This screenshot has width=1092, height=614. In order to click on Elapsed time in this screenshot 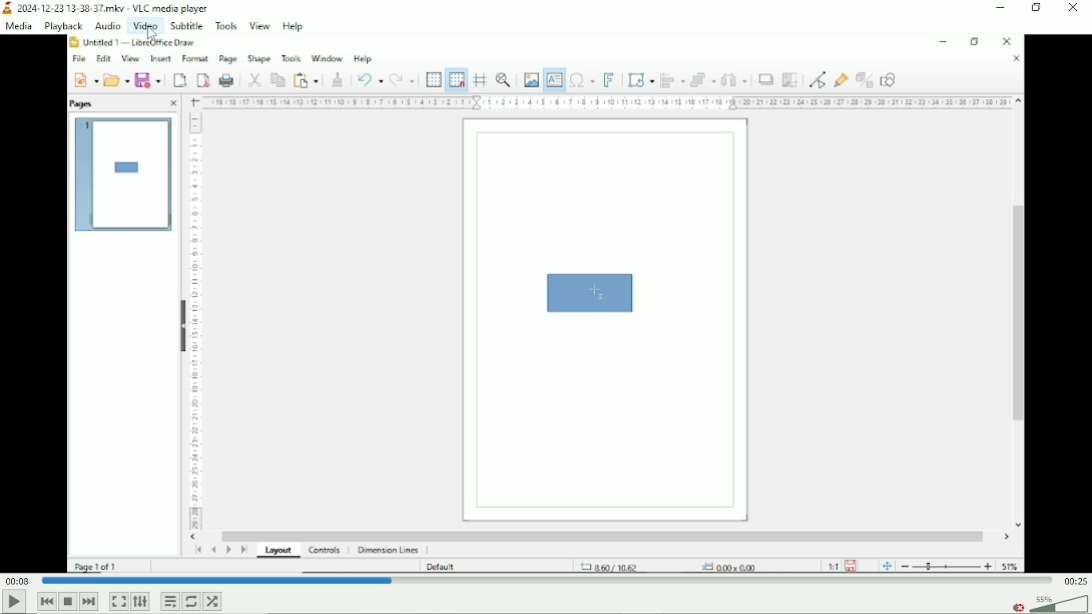, I will do `click(17, 579)`.